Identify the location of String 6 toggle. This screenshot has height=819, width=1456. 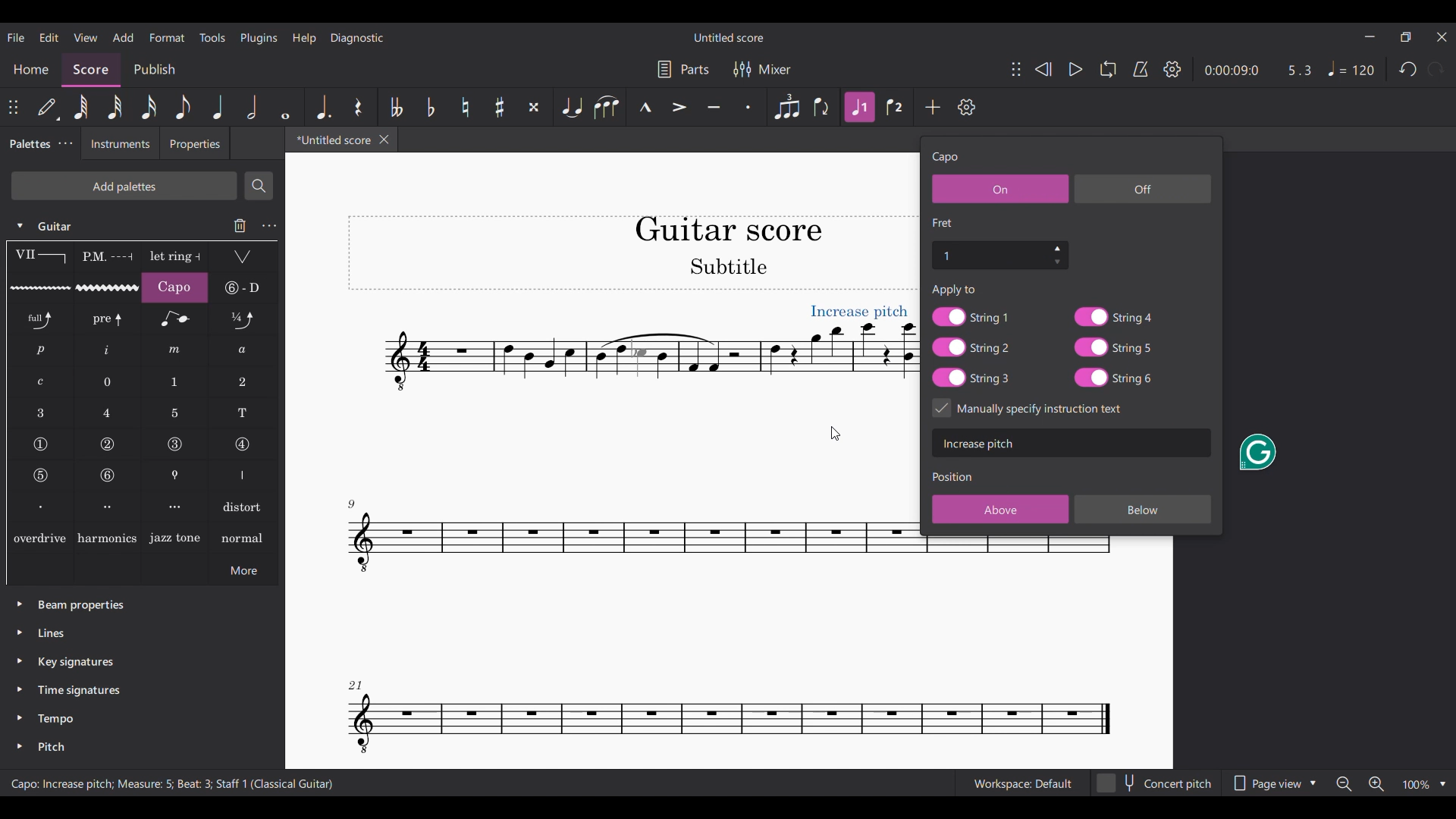
(1113, 378).